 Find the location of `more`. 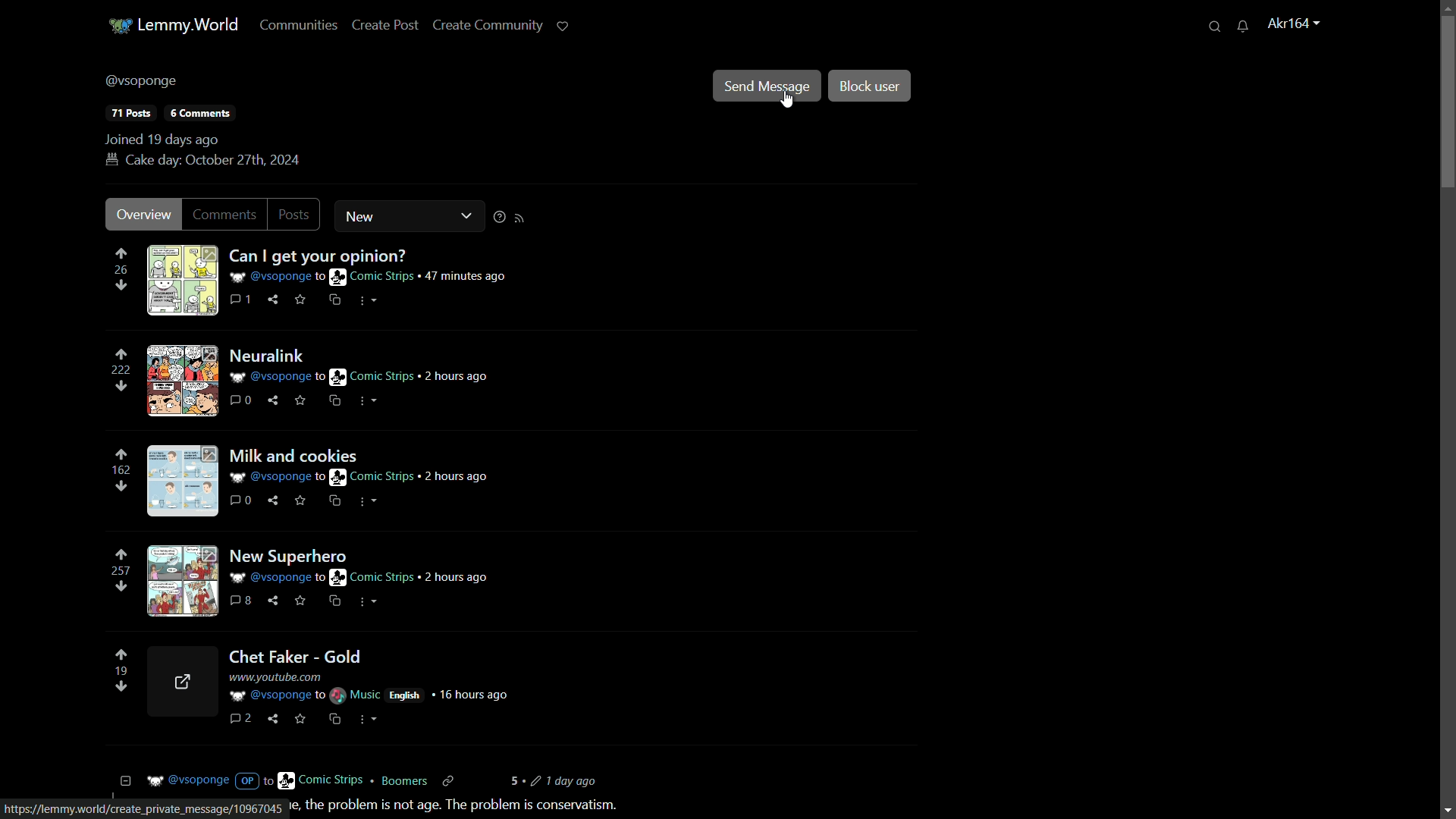

more is located at coordinates (367, 602).